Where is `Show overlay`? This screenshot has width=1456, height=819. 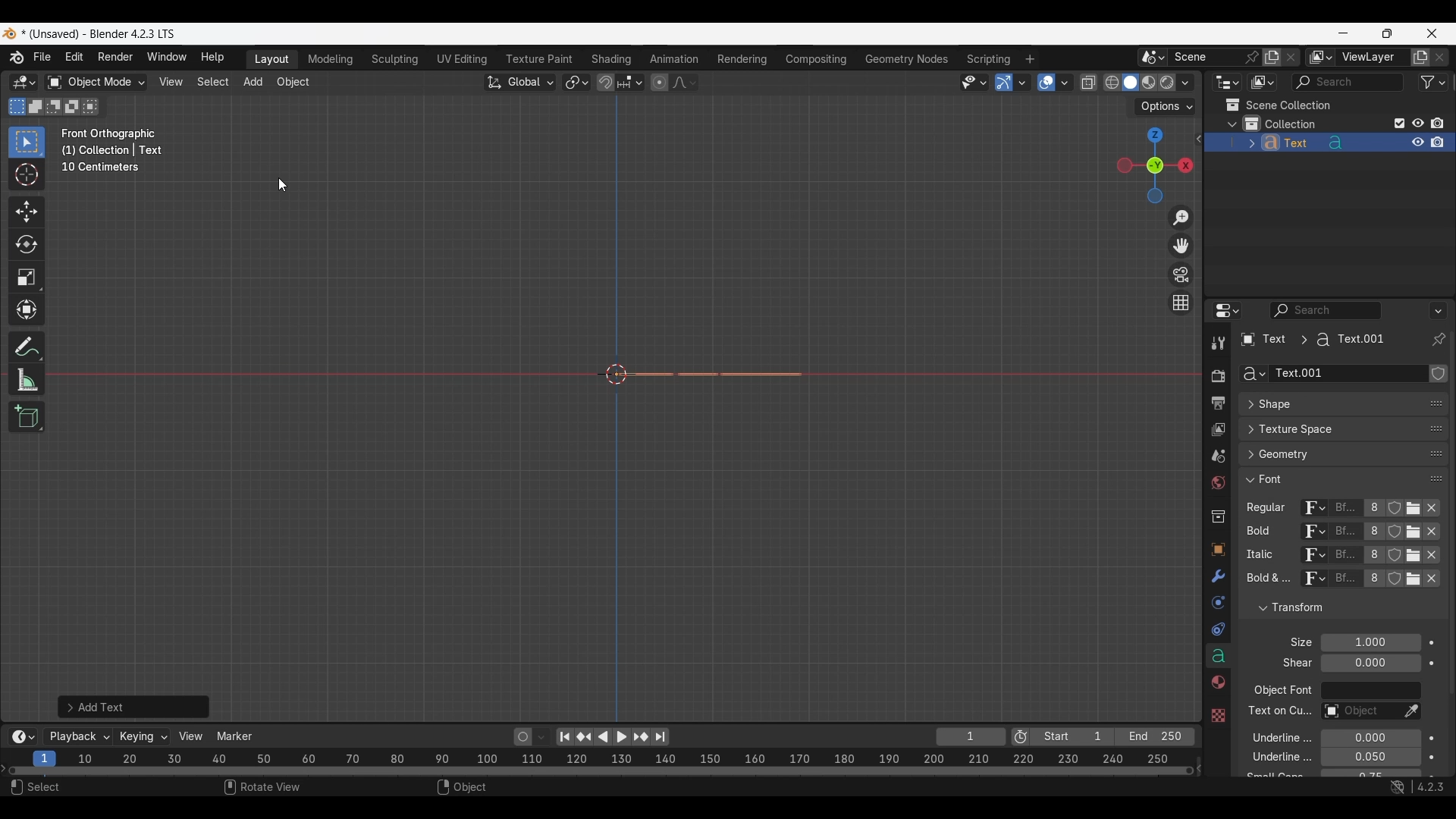 Show overlay is located at coordinates (1046, 83).